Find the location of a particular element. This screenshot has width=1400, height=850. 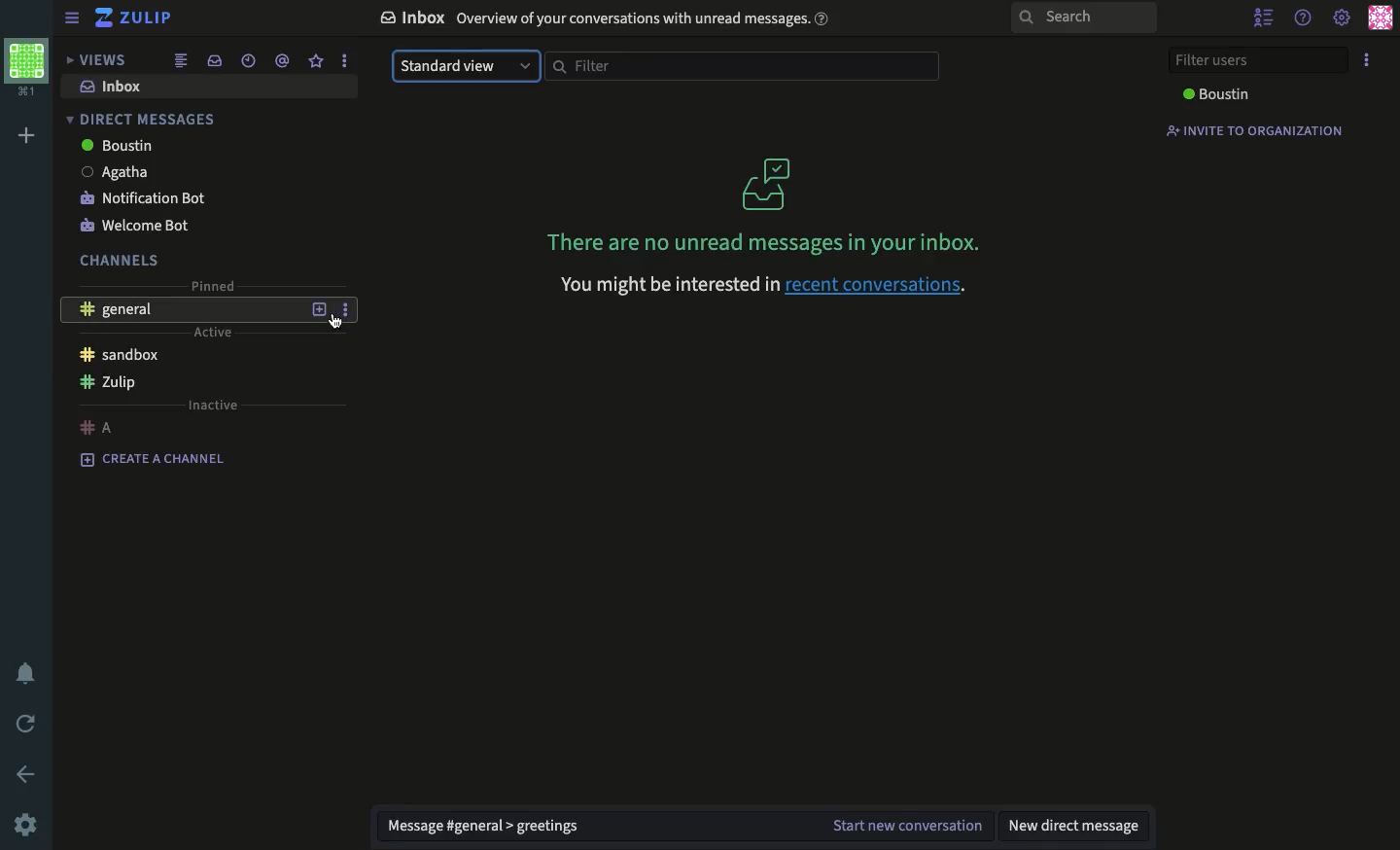

notification bot is located at coordinates (142, 199).